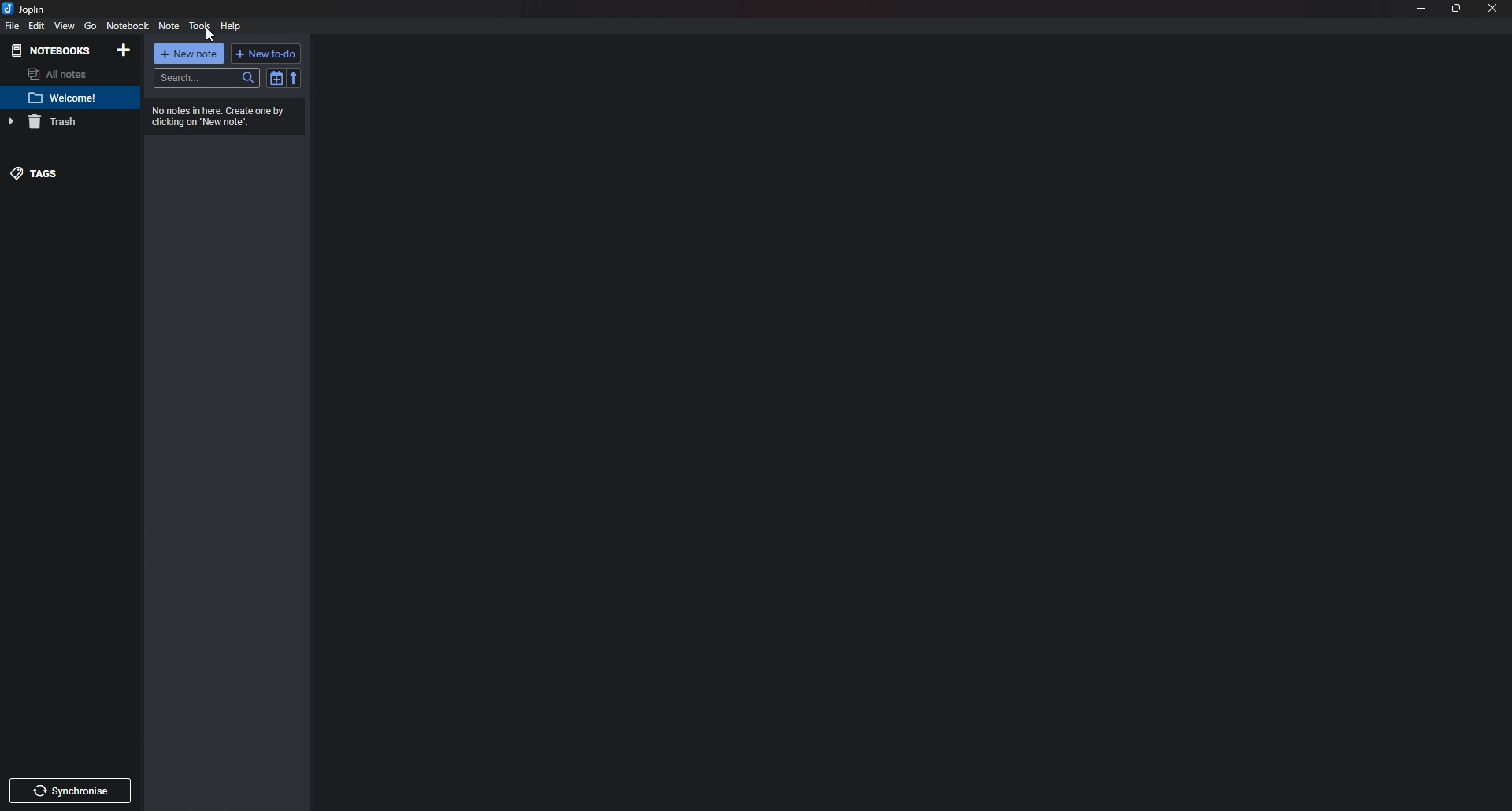 This screenshot has width=1512, height=811. Describe the element at coordinates (124, 50) in the screenshot. I see `Add notebooks` at that location.